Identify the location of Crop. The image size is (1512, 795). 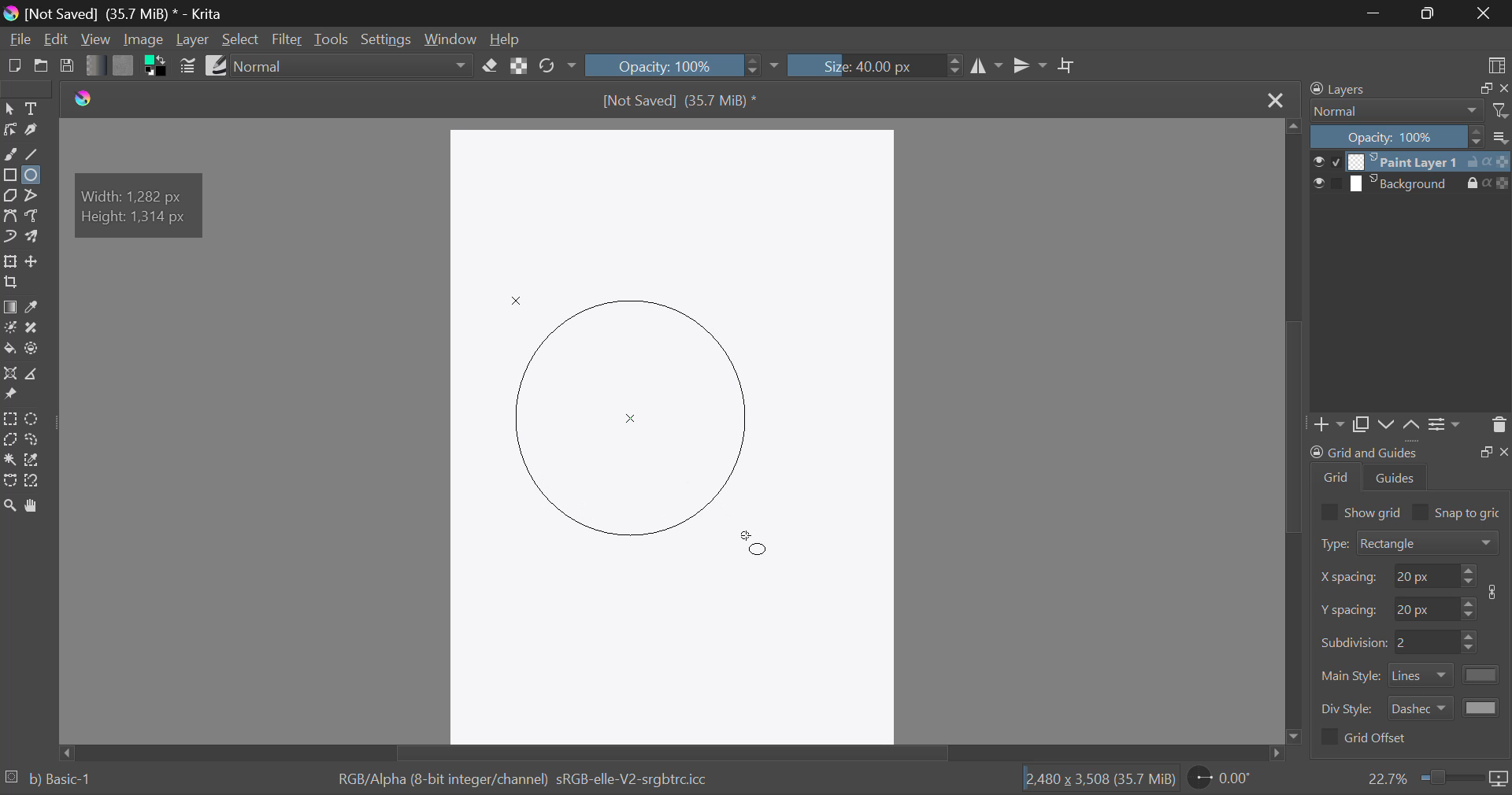
(1068, 66).